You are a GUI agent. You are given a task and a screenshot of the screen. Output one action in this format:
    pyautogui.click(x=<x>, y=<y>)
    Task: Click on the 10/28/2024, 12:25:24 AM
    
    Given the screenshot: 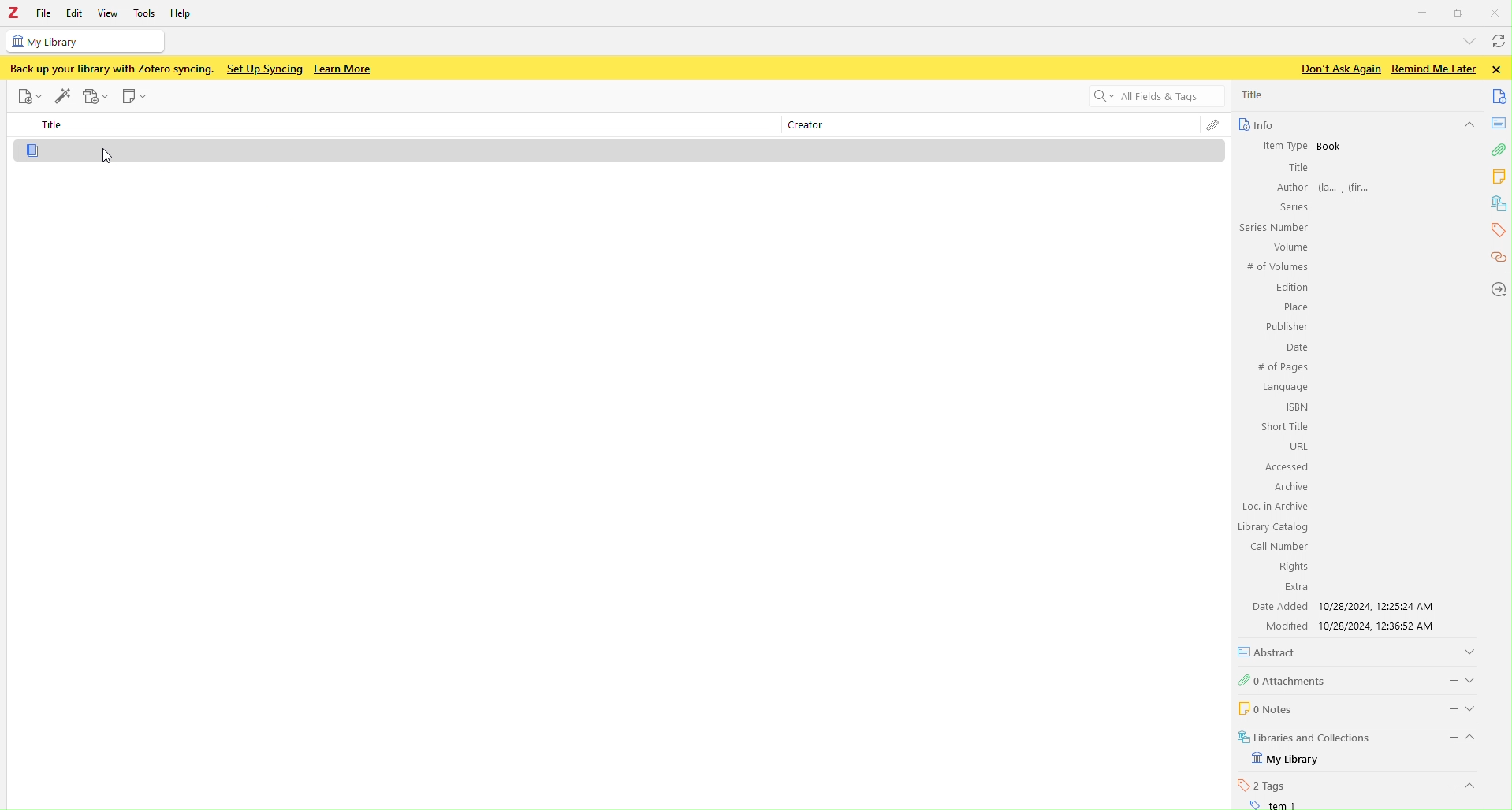 What is the action you would take?
    pyautogui.click(x=1381, y=606)
    